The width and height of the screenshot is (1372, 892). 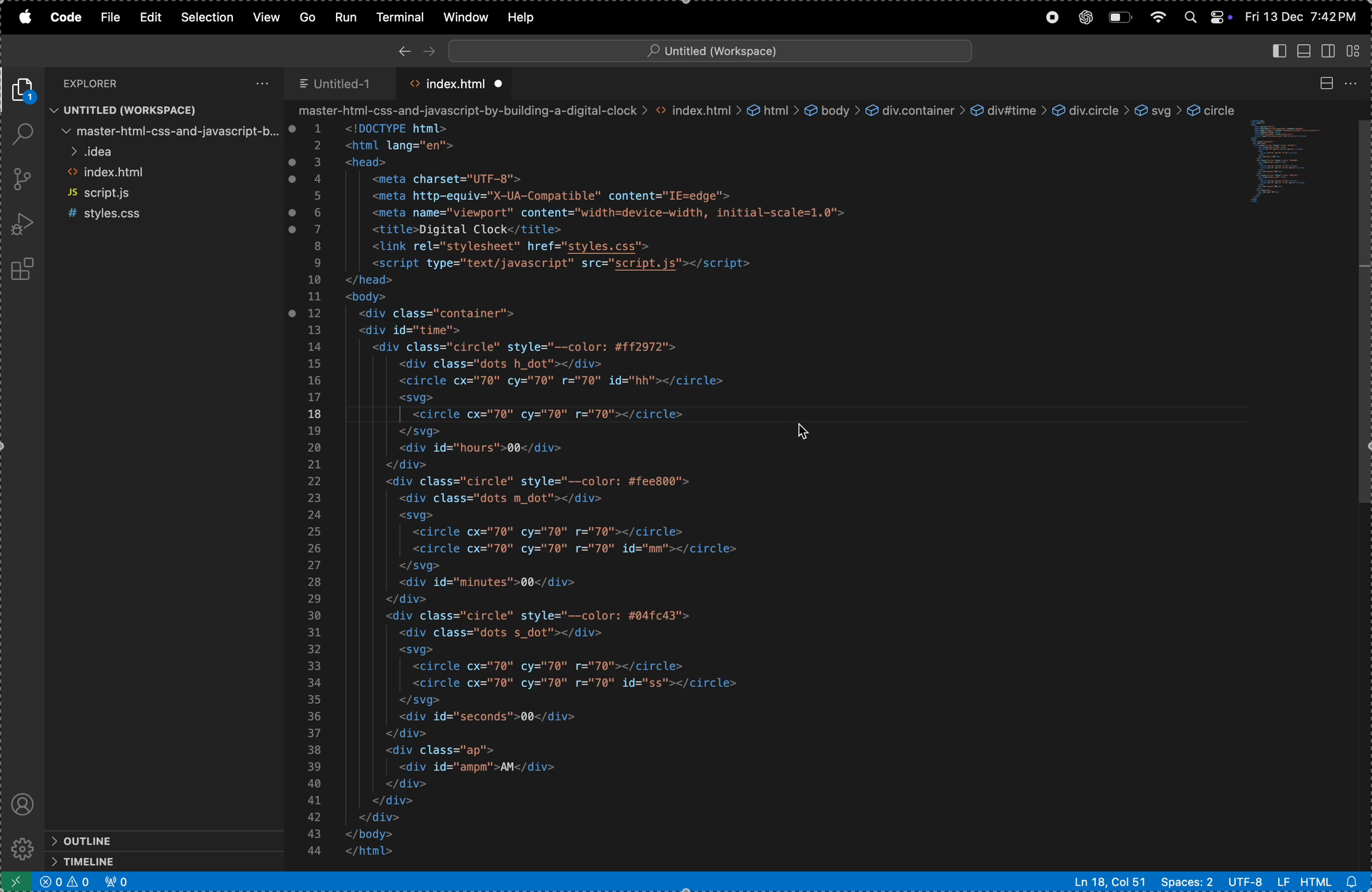 What do you see at coordinates (142, 861) in the screenshot?
I see `timeline` at bounding box center [142, 861].